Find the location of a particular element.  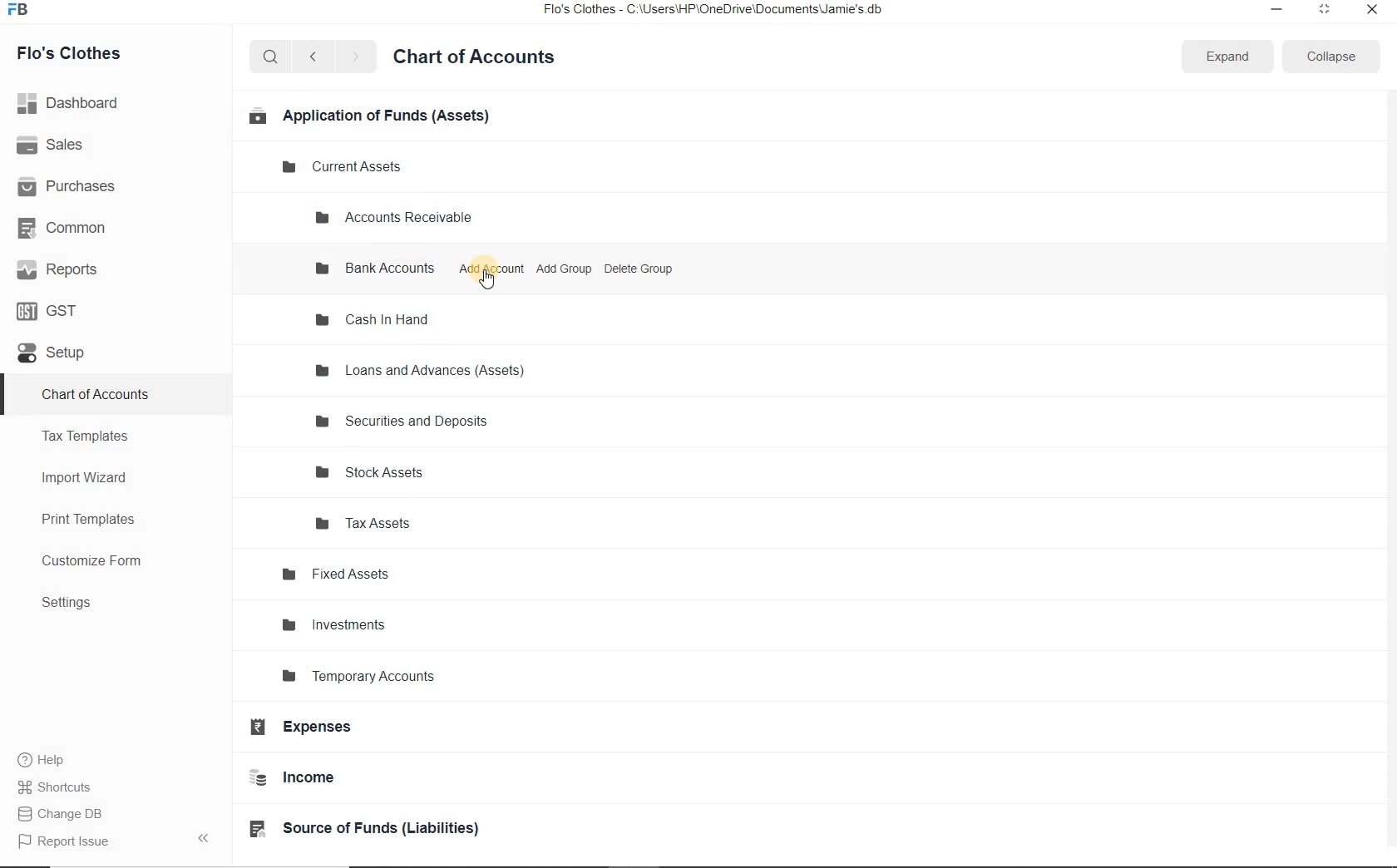

cursor is located at coordinates (489, 287).